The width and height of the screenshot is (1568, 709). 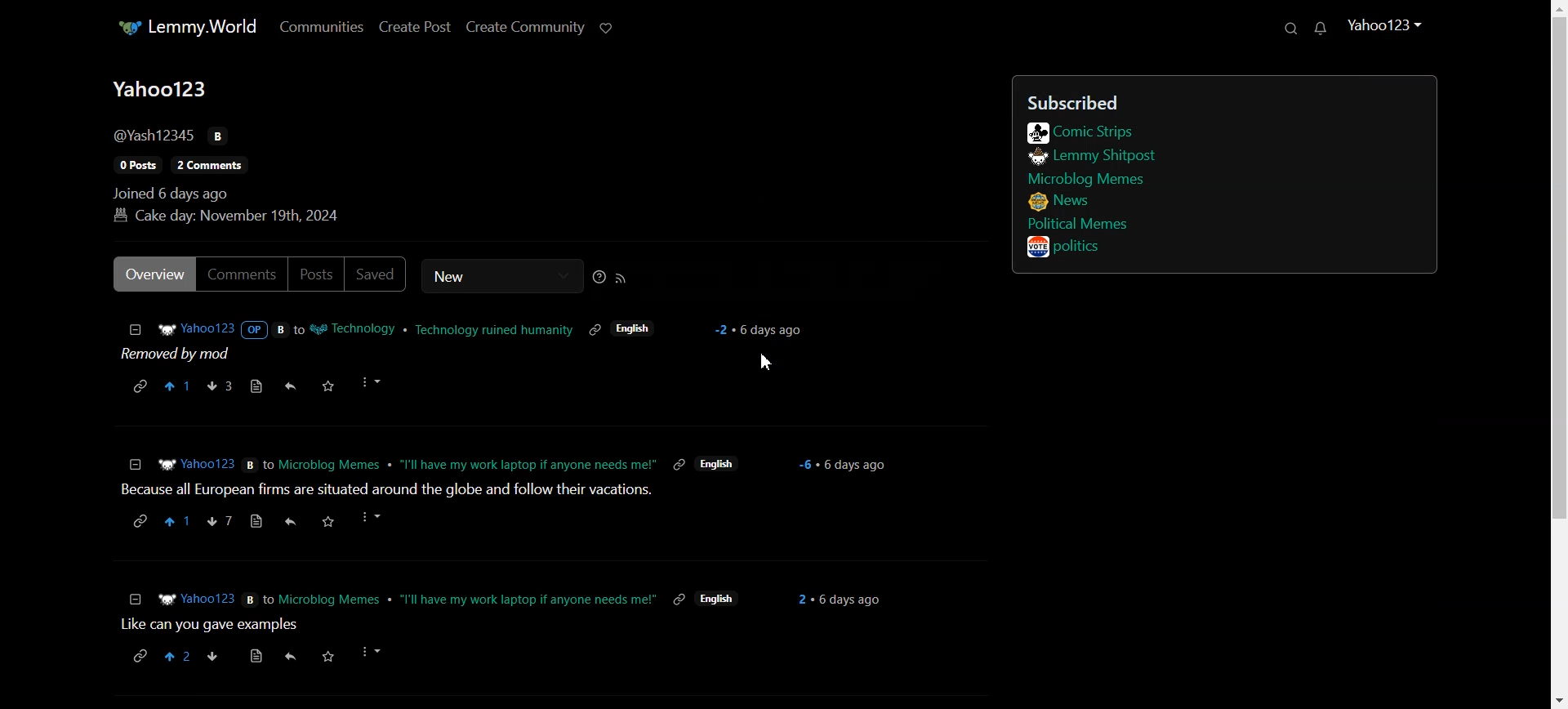 I want to click on technology, so click(x=354, y=329).